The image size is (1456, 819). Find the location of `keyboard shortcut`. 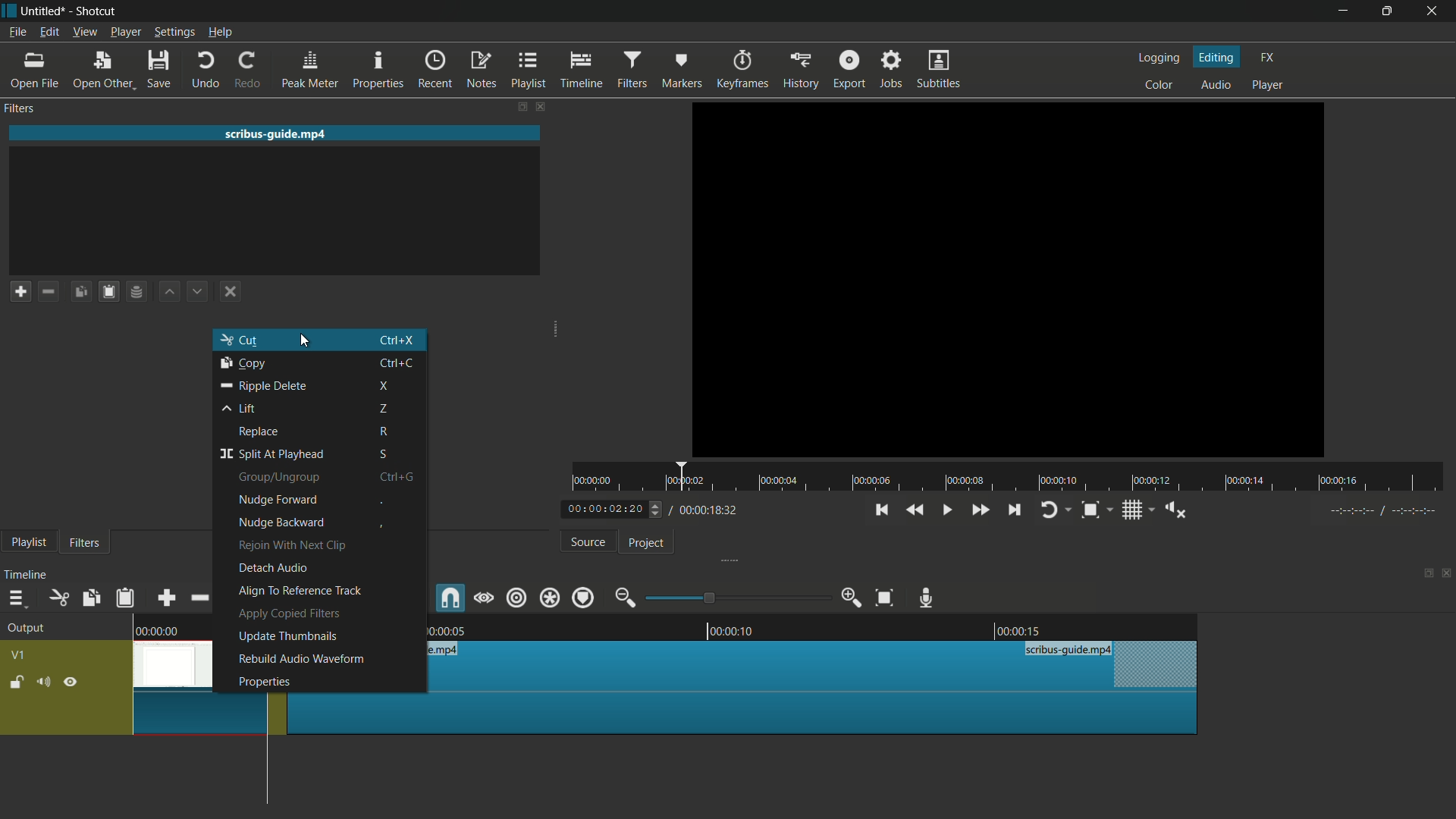

keyboard shortcut is located at coordinates (385, 409).